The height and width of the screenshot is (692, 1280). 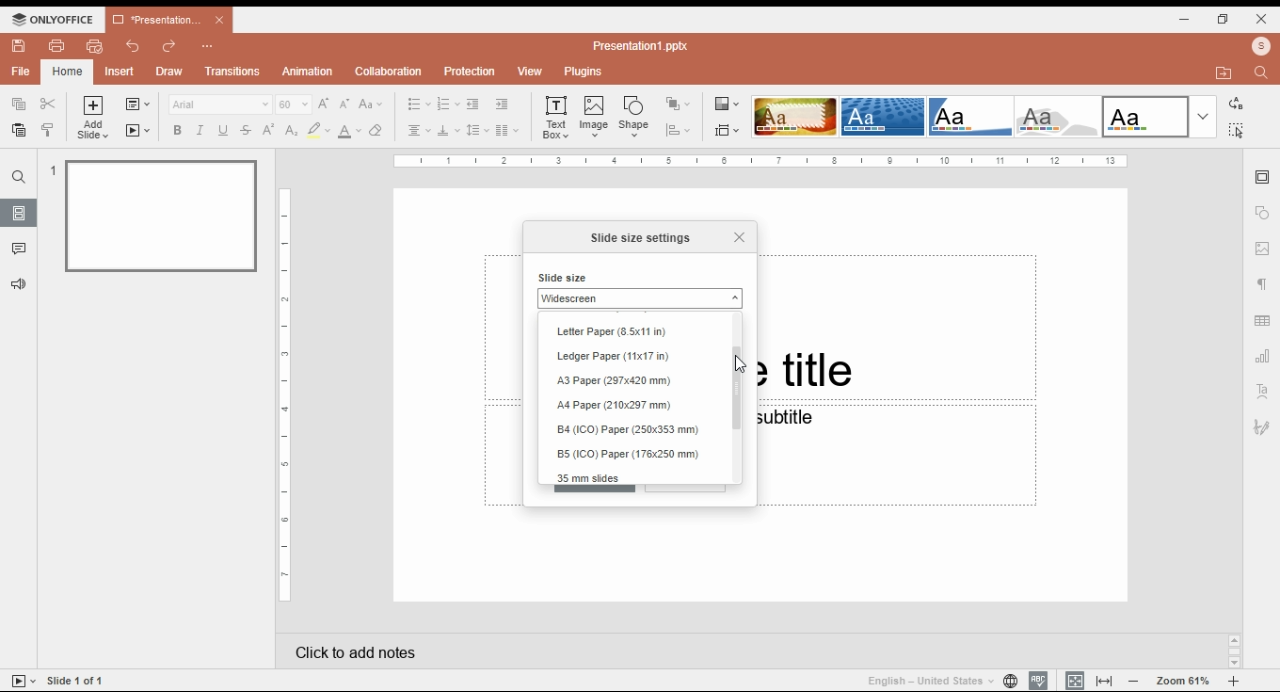 I want to click on text box, so click(x=558, y=116).